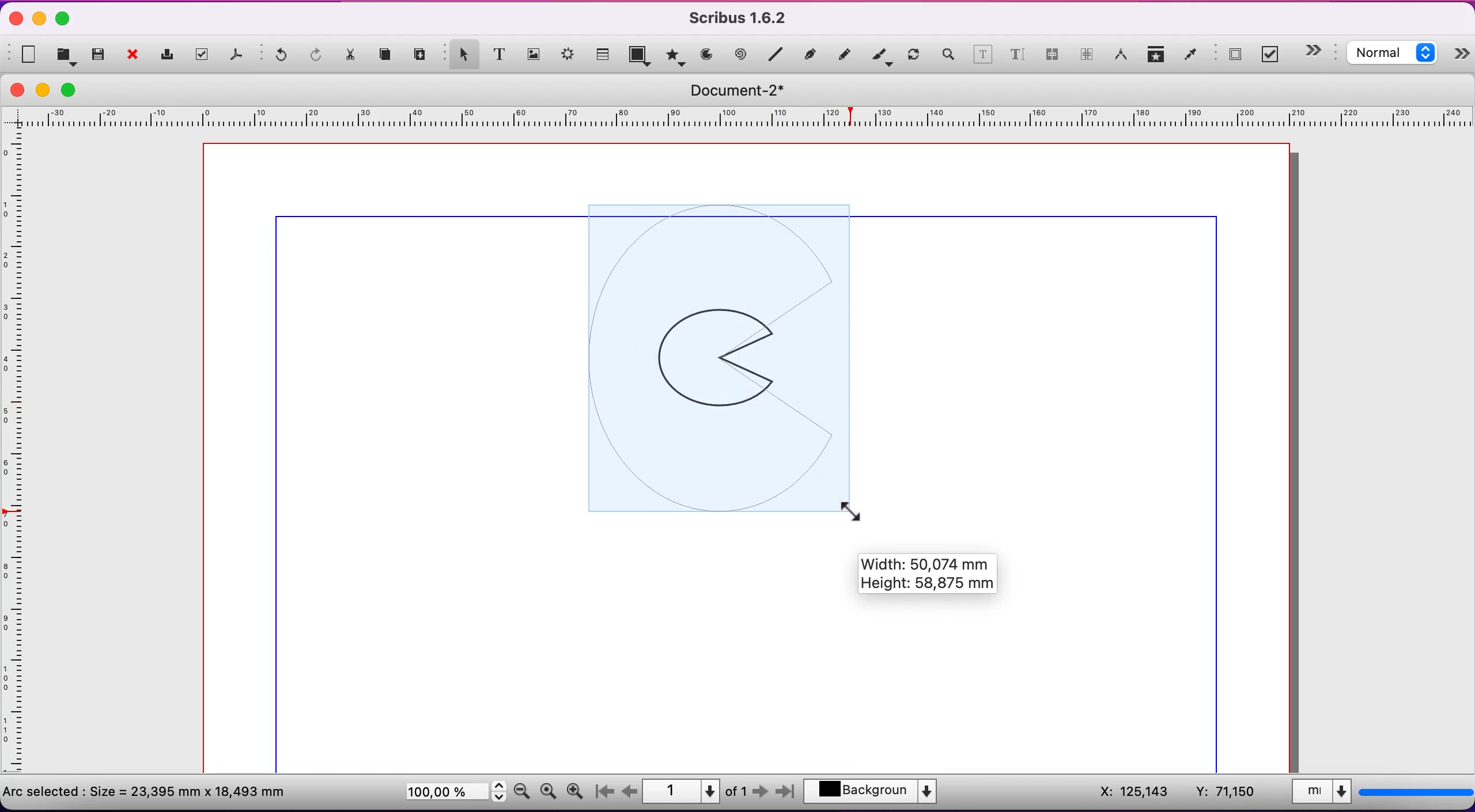 This screenshot has width=1475, height=812. I want to click on maximize, so click(75, 89).